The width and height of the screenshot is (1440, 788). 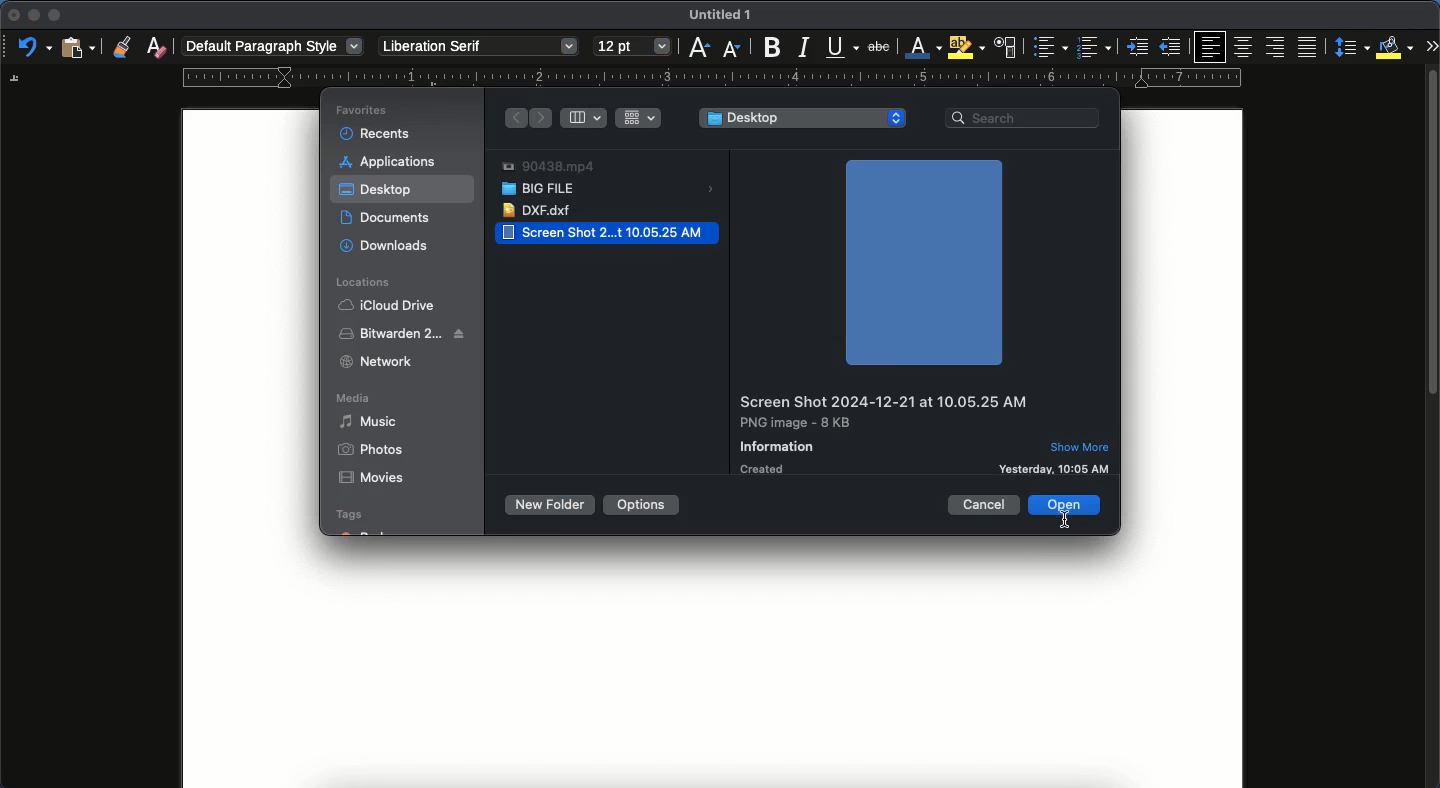 I want to click on grid, so click(x=640, y=117).